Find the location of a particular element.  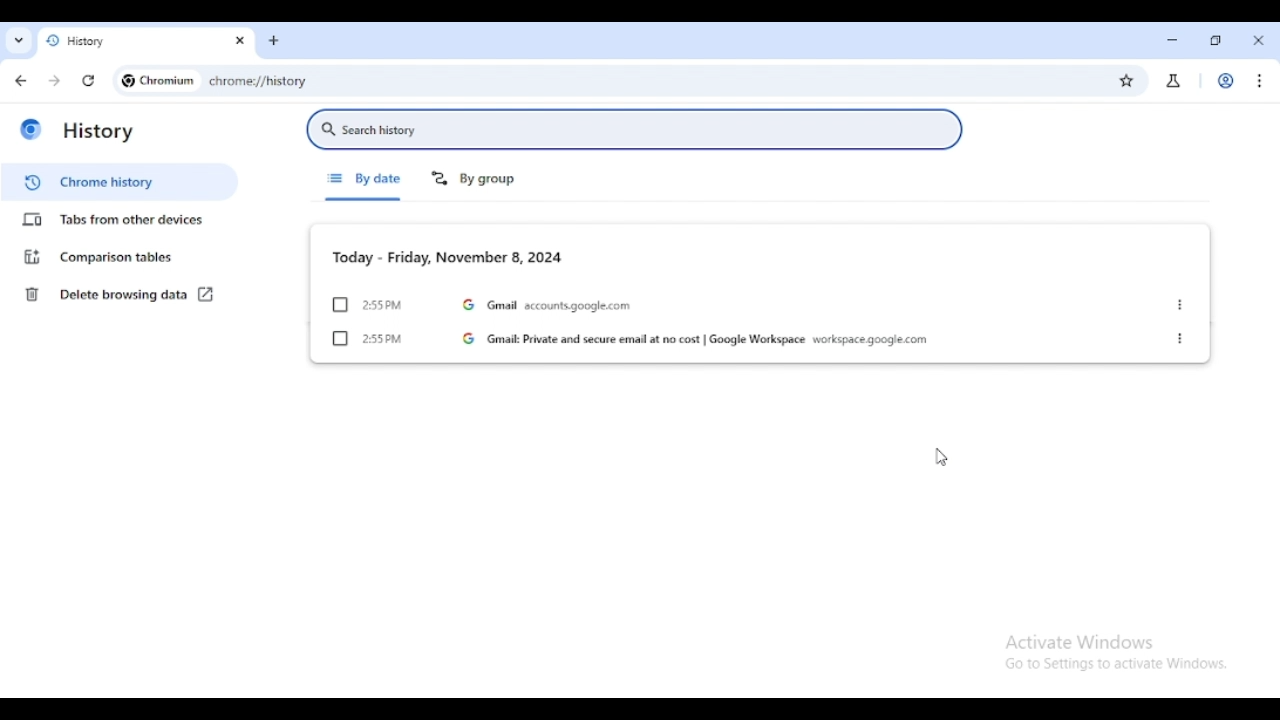

actions is located at coordinates (1182, 338).